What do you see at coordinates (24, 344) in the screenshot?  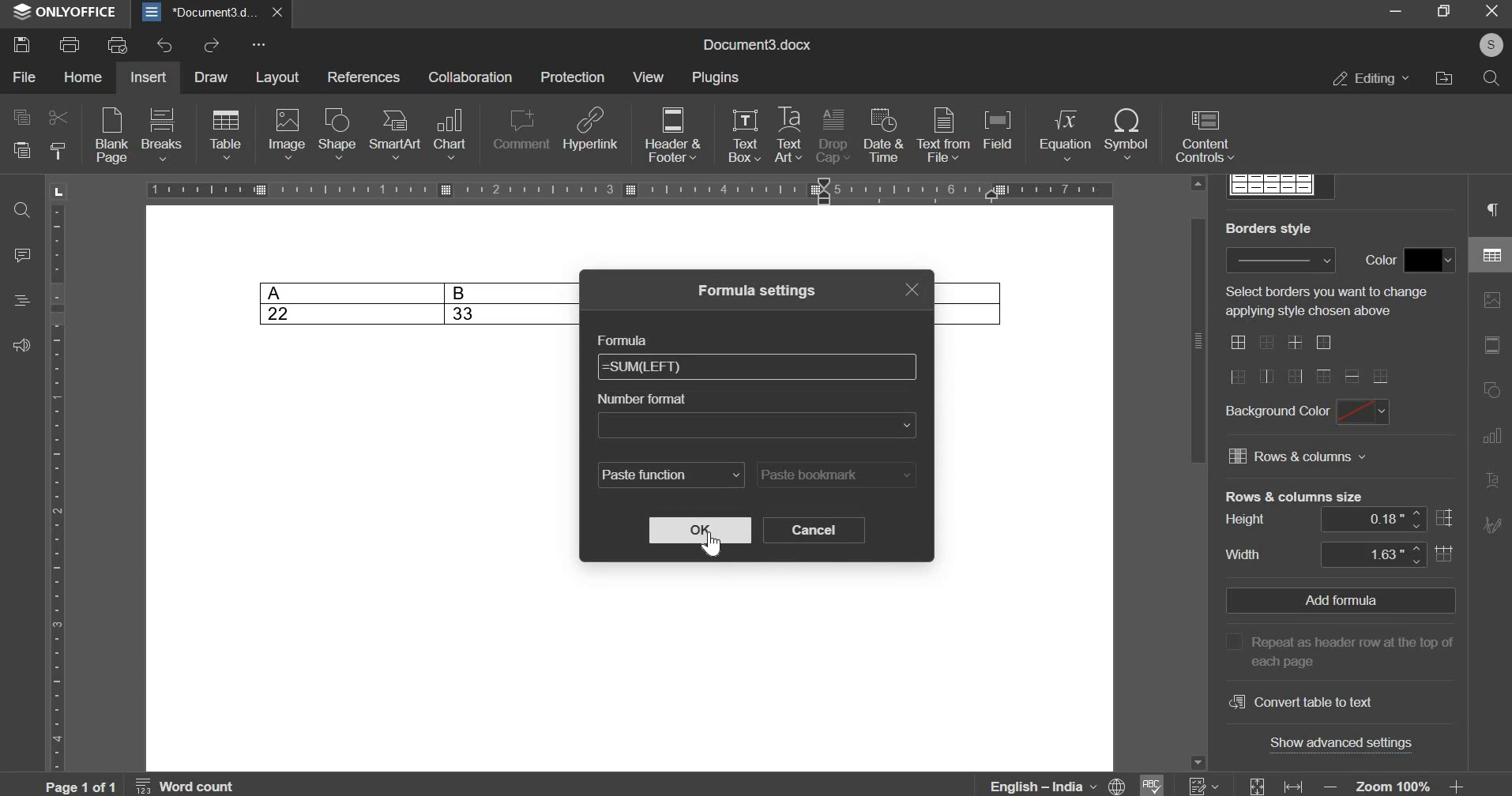 I see `feedback` at bounding box center [24, 344].